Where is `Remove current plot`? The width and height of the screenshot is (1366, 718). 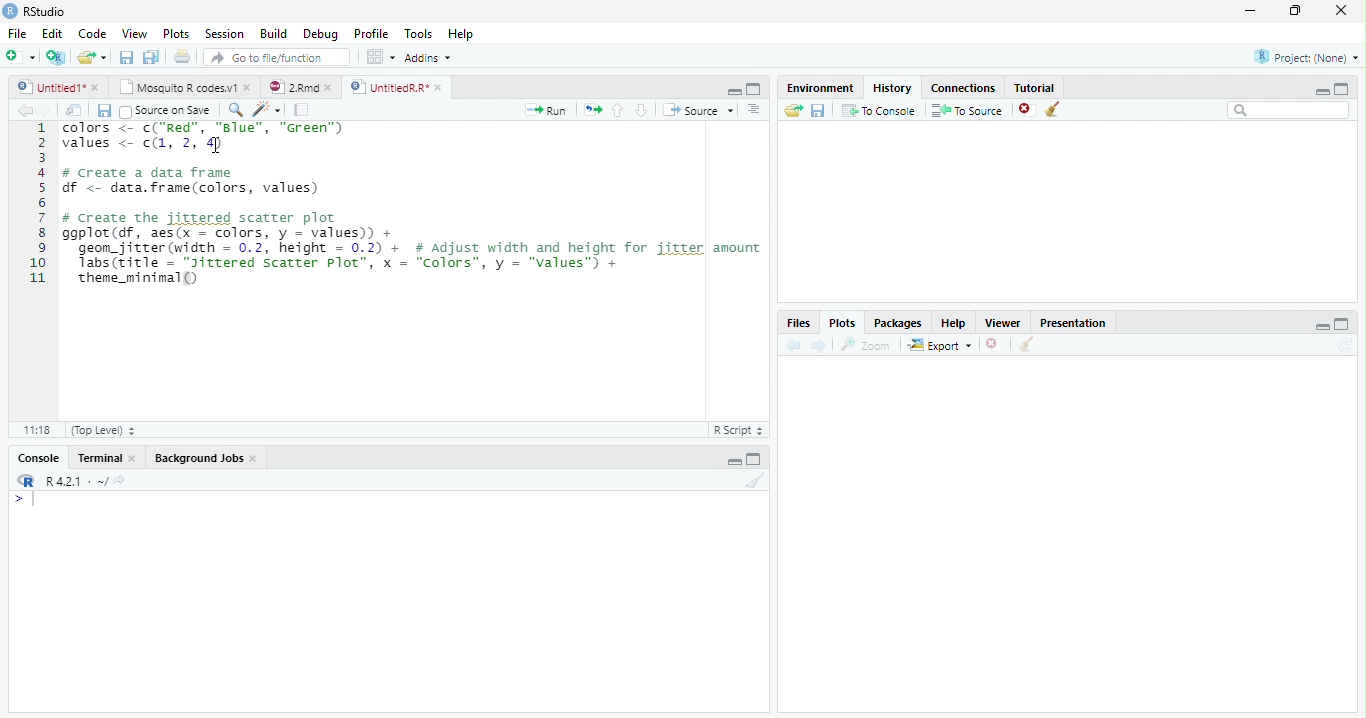 Remove current plot is located at coordinates (994, 345).